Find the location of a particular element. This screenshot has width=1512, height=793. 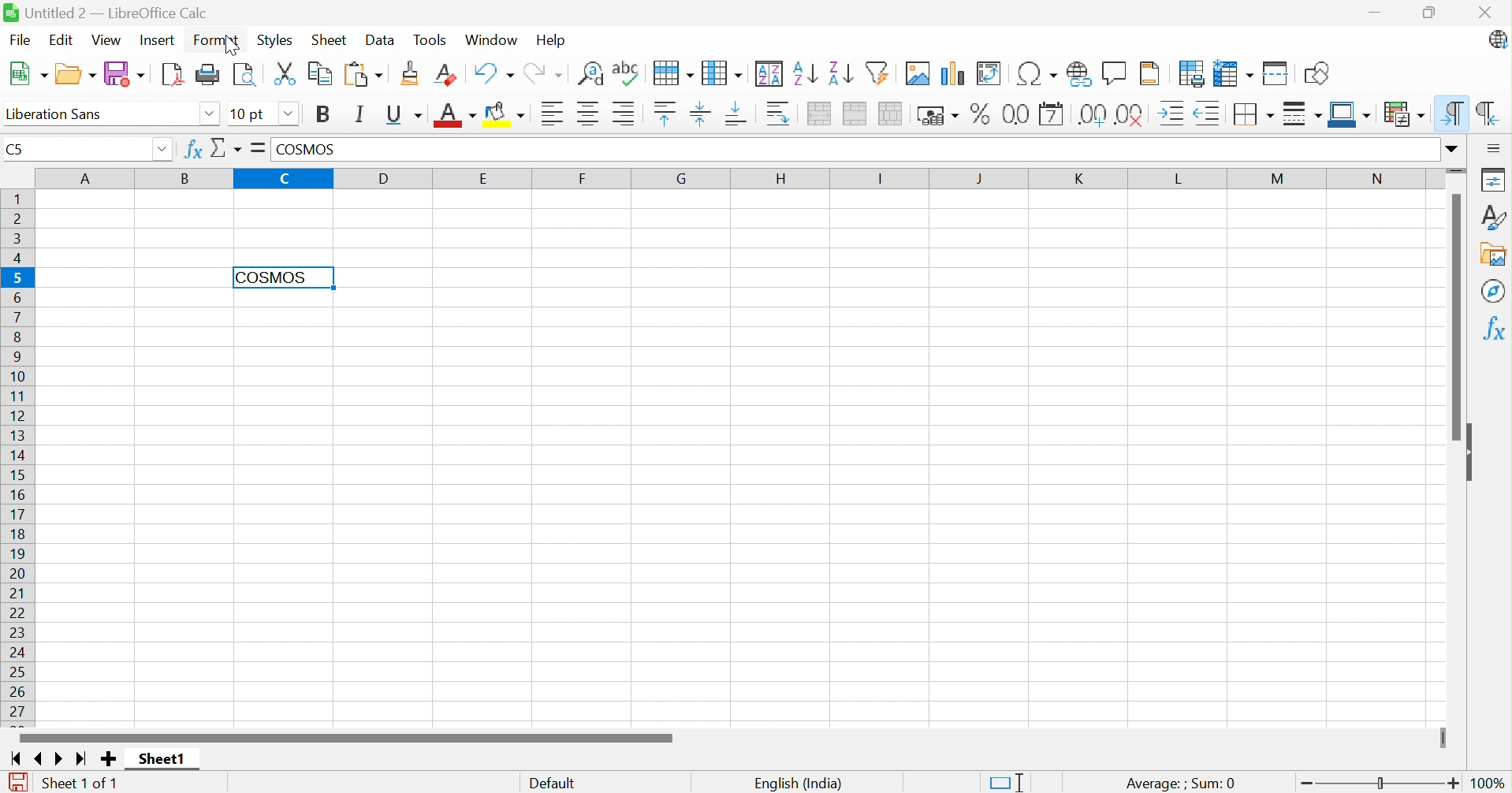

Copy is located at coordinates (321, 75).